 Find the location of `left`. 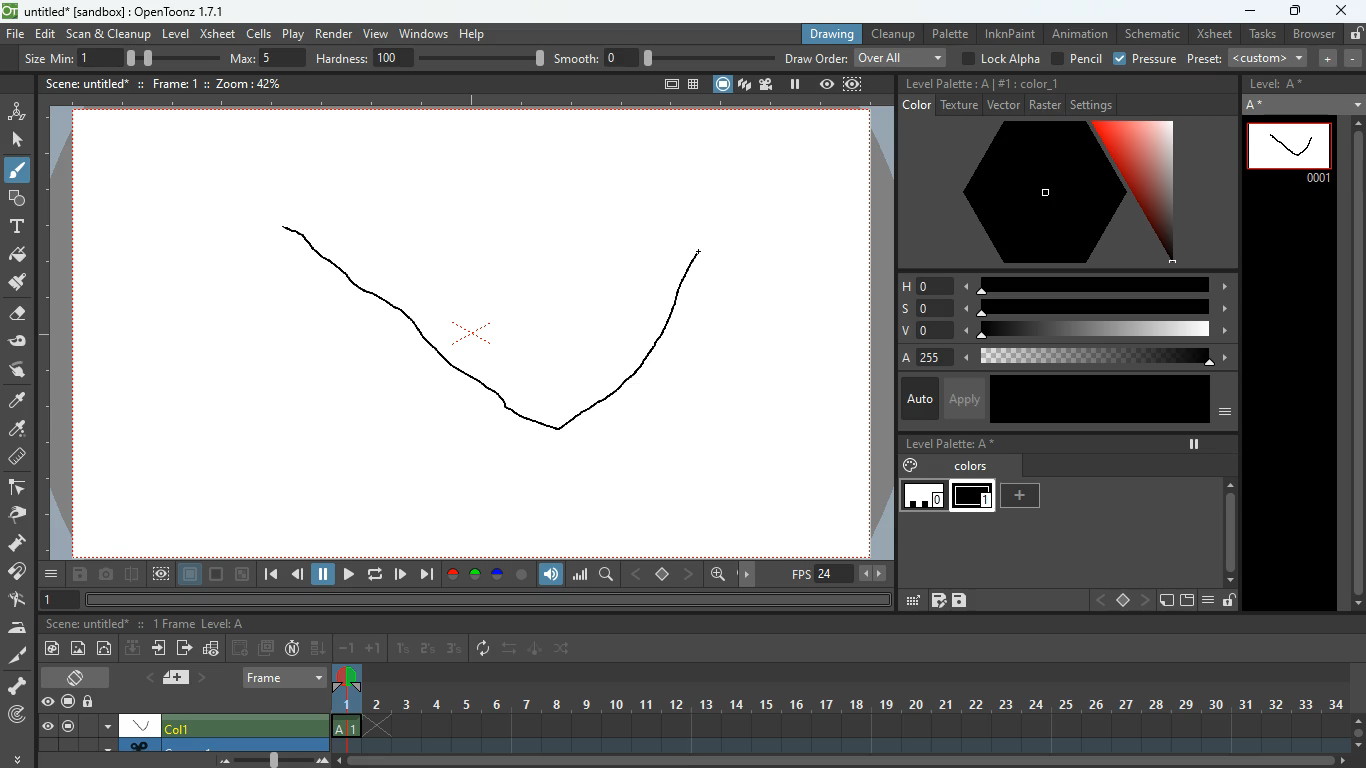

left is located at coordinates (1099, 601).